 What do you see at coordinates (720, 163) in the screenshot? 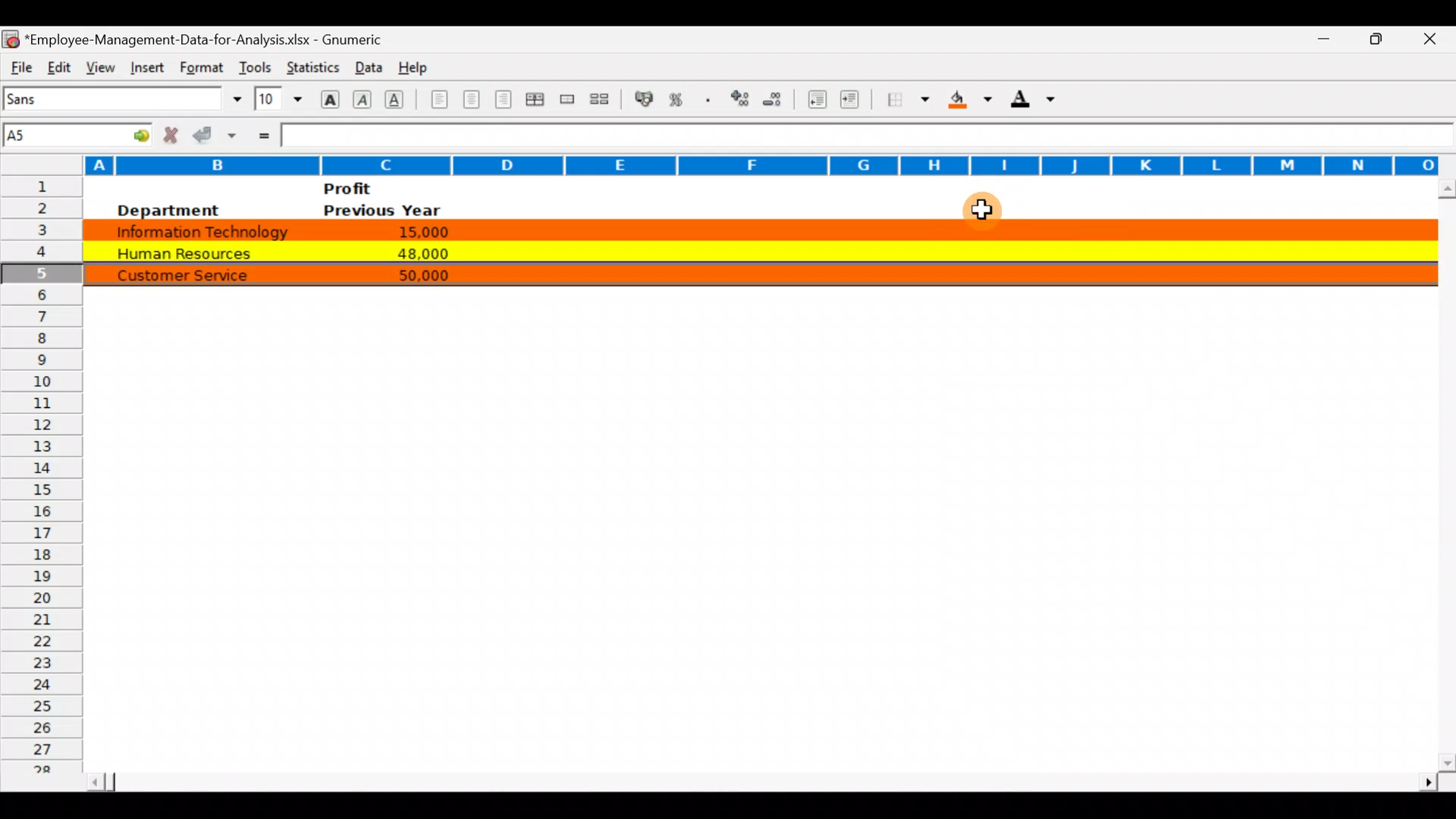
I see `Columns` at bounding box center [720, 163].